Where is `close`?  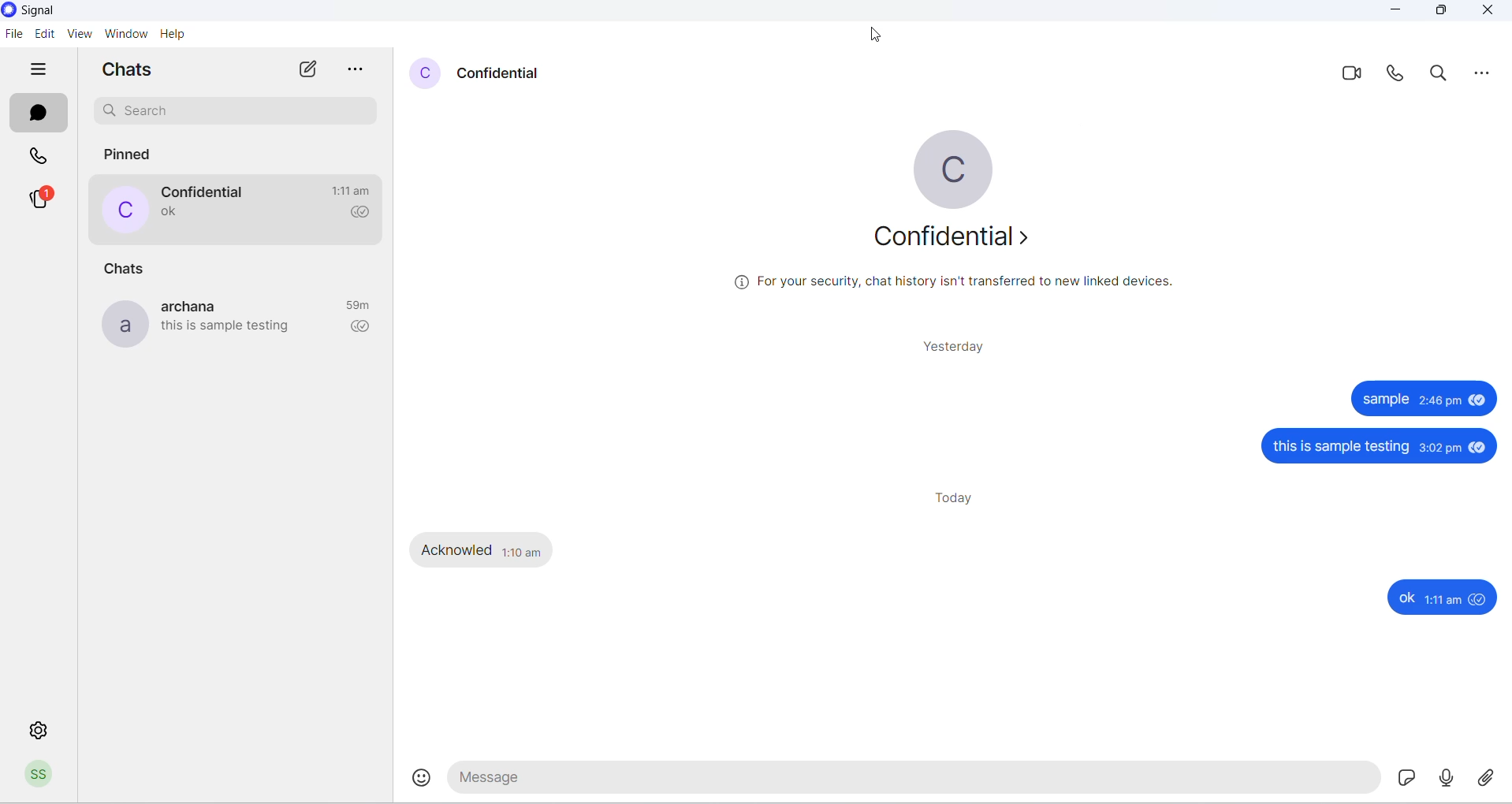 close is located at coordinates (1486, 13).